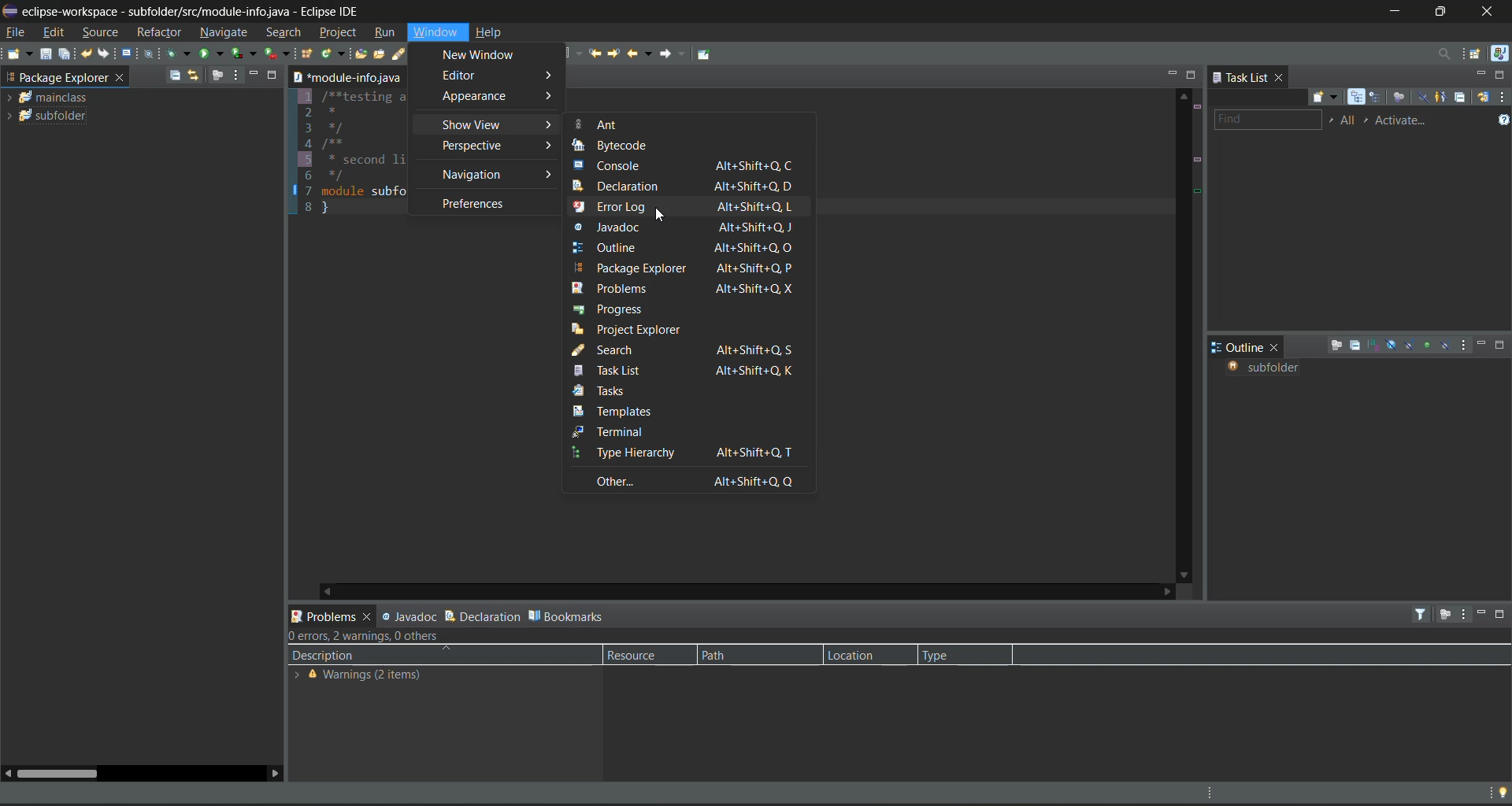 The height and width of the screenshot is (806, 1512). Describe the element at coordinates (1484, 98) in the screenshot. I see `synchronize changed` at that location.